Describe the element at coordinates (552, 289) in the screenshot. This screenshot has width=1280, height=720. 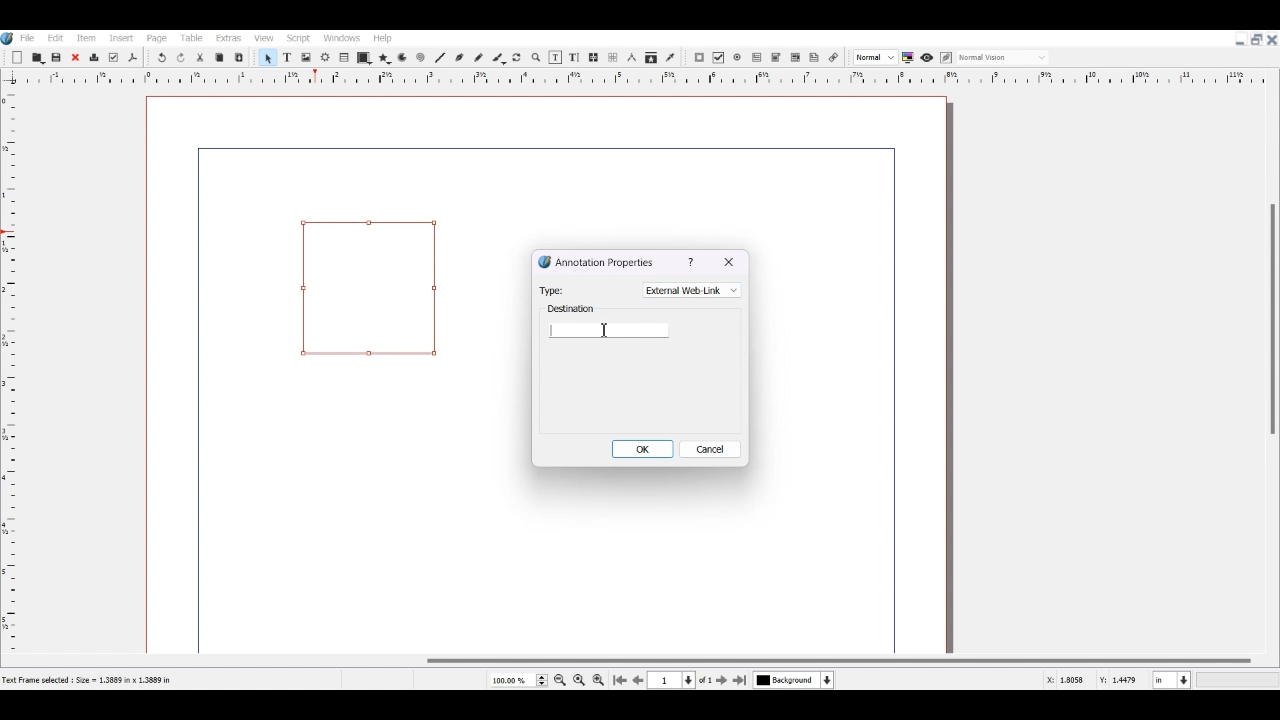
I see `Type` at that location.